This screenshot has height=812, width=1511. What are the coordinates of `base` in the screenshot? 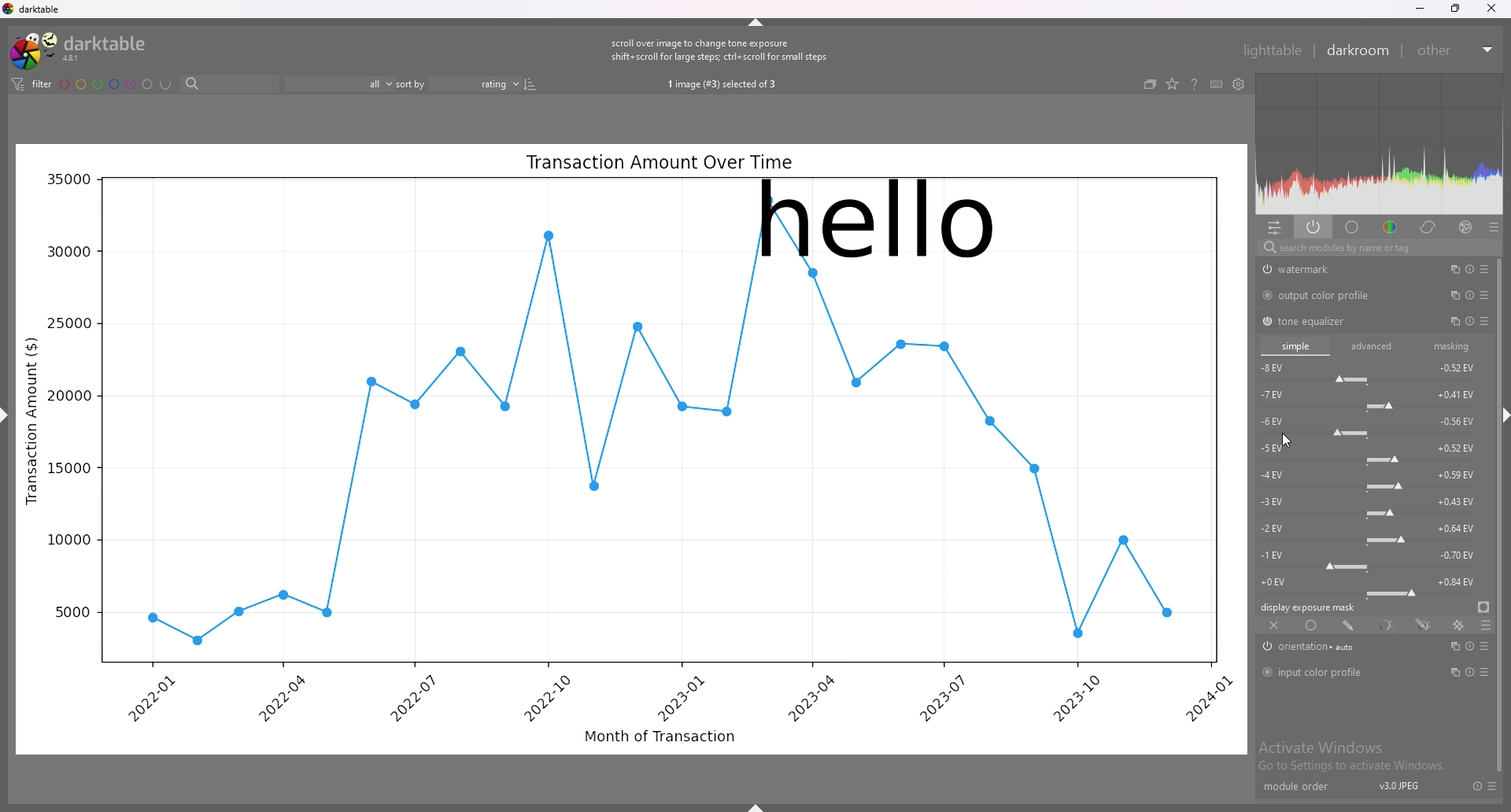 It's located at (1353, 227).